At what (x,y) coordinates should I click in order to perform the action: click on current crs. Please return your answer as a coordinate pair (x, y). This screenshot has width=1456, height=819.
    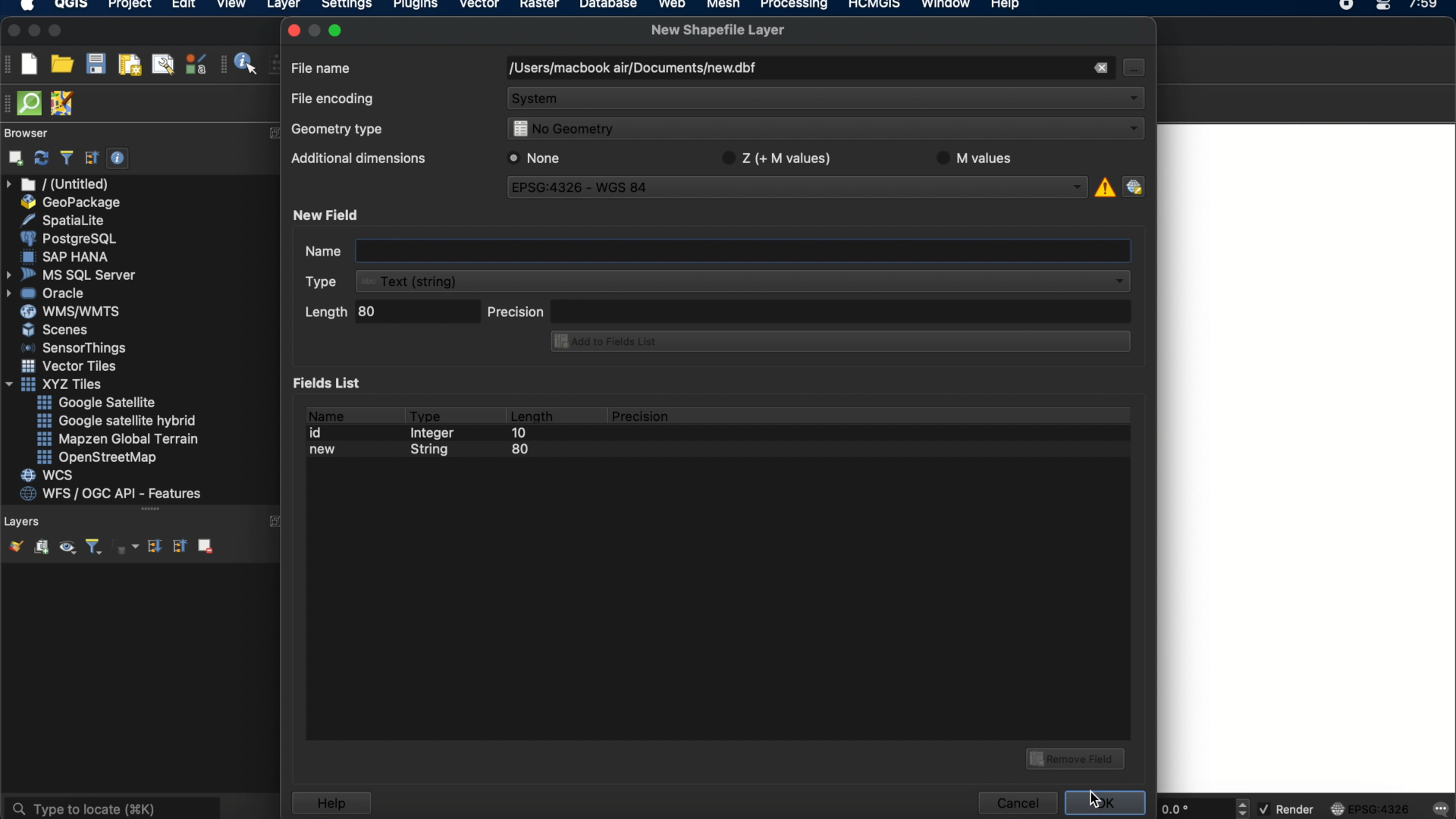
    Looking at the image, I should click on (1370, 808).